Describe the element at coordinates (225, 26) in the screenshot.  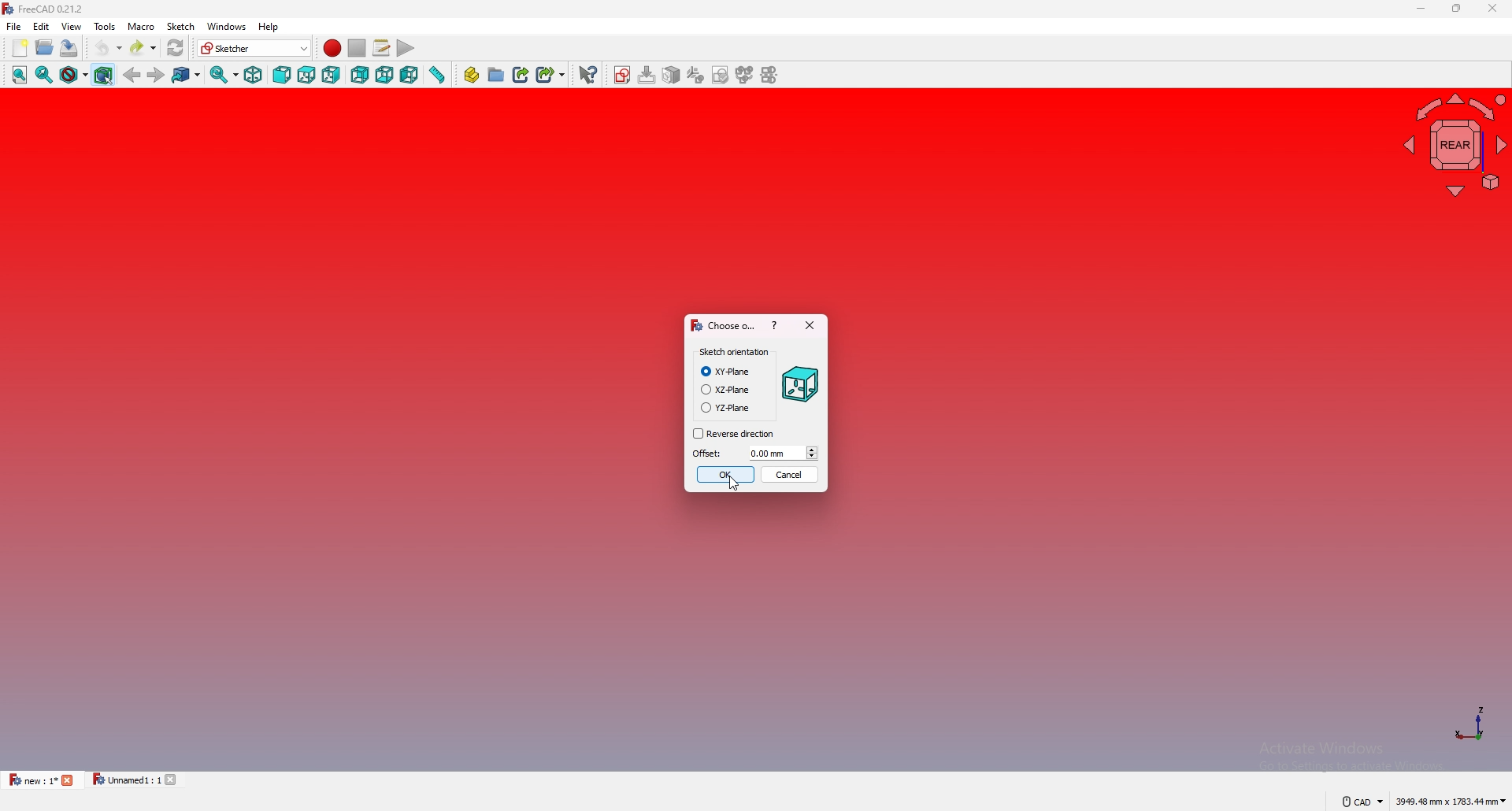
I see `windows` at that location.